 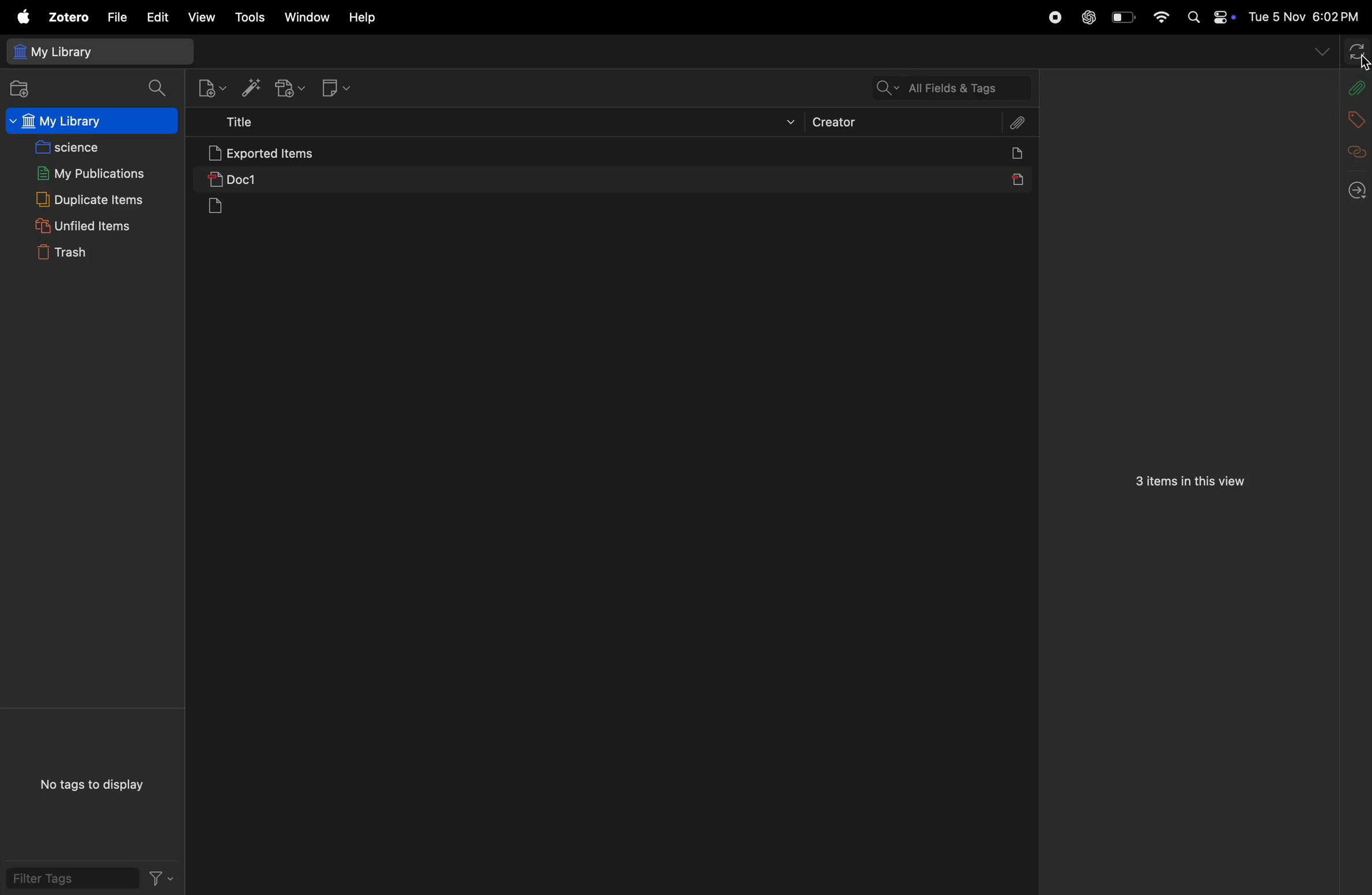 I want to click on window, so click(x=304, y=17).